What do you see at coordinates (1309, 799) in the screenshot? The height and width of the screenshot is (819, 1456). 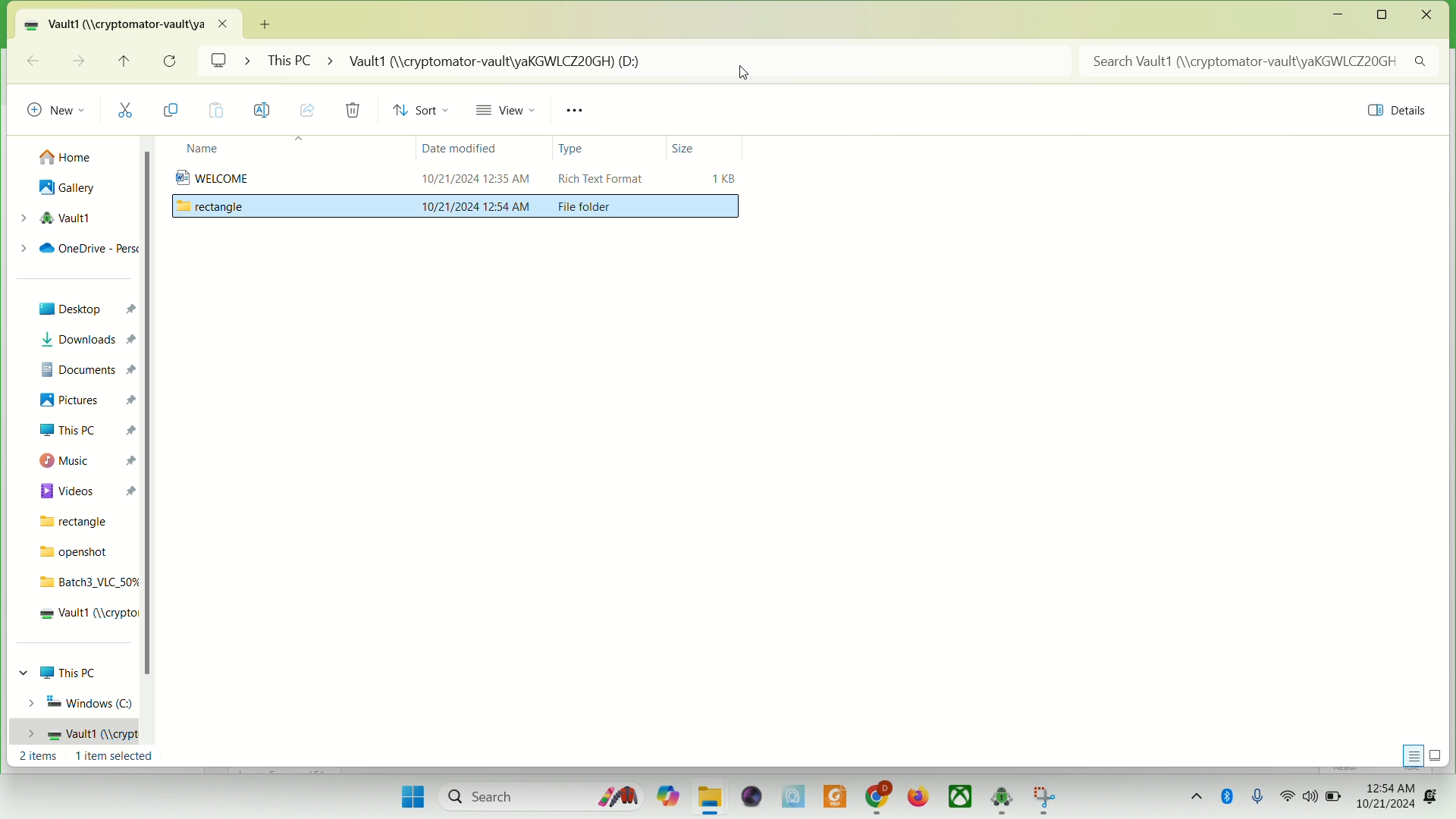 I see `speaker` at bounding box center [1309, 799].